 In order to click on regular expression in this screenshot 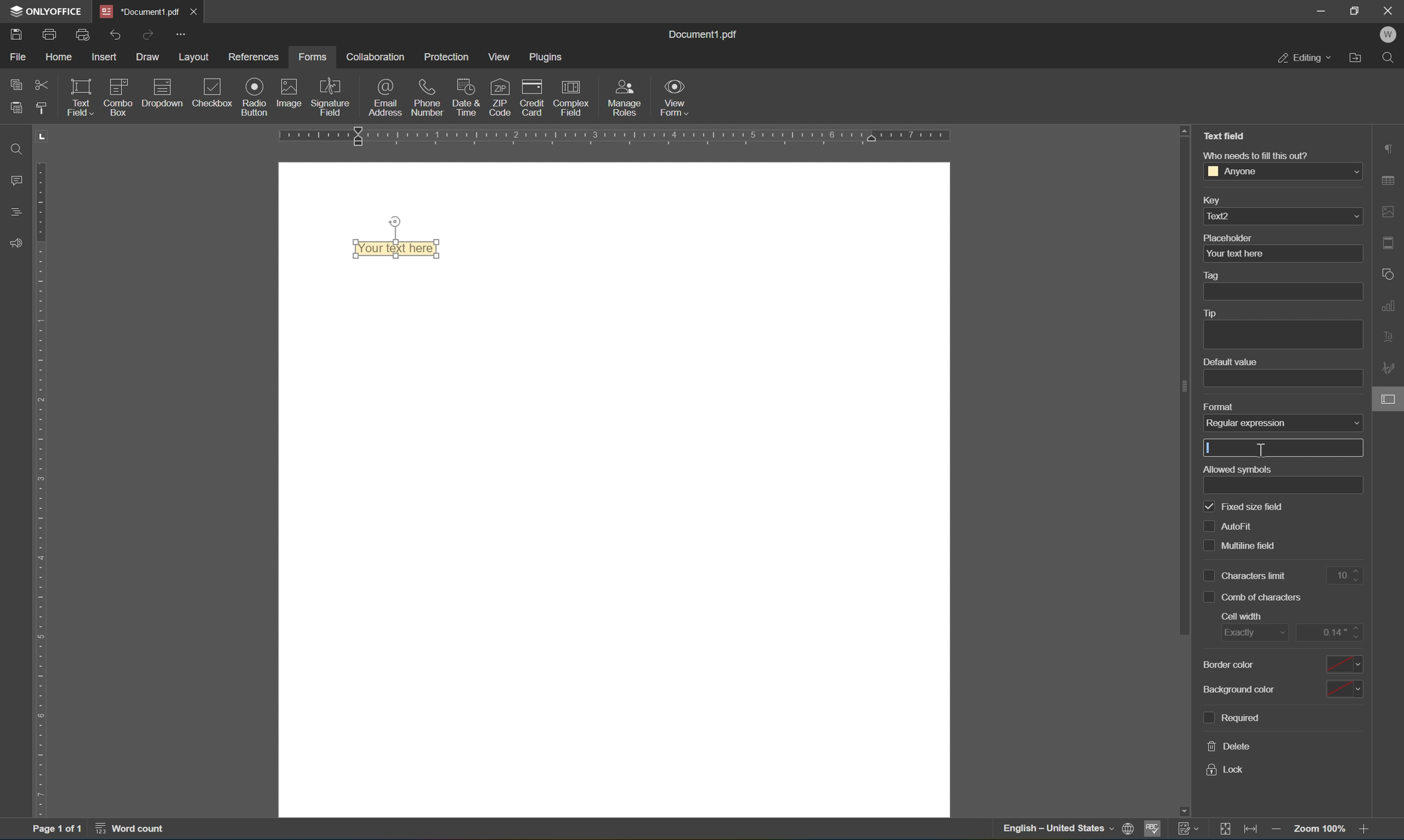, I will do `click(1249, 425)`.